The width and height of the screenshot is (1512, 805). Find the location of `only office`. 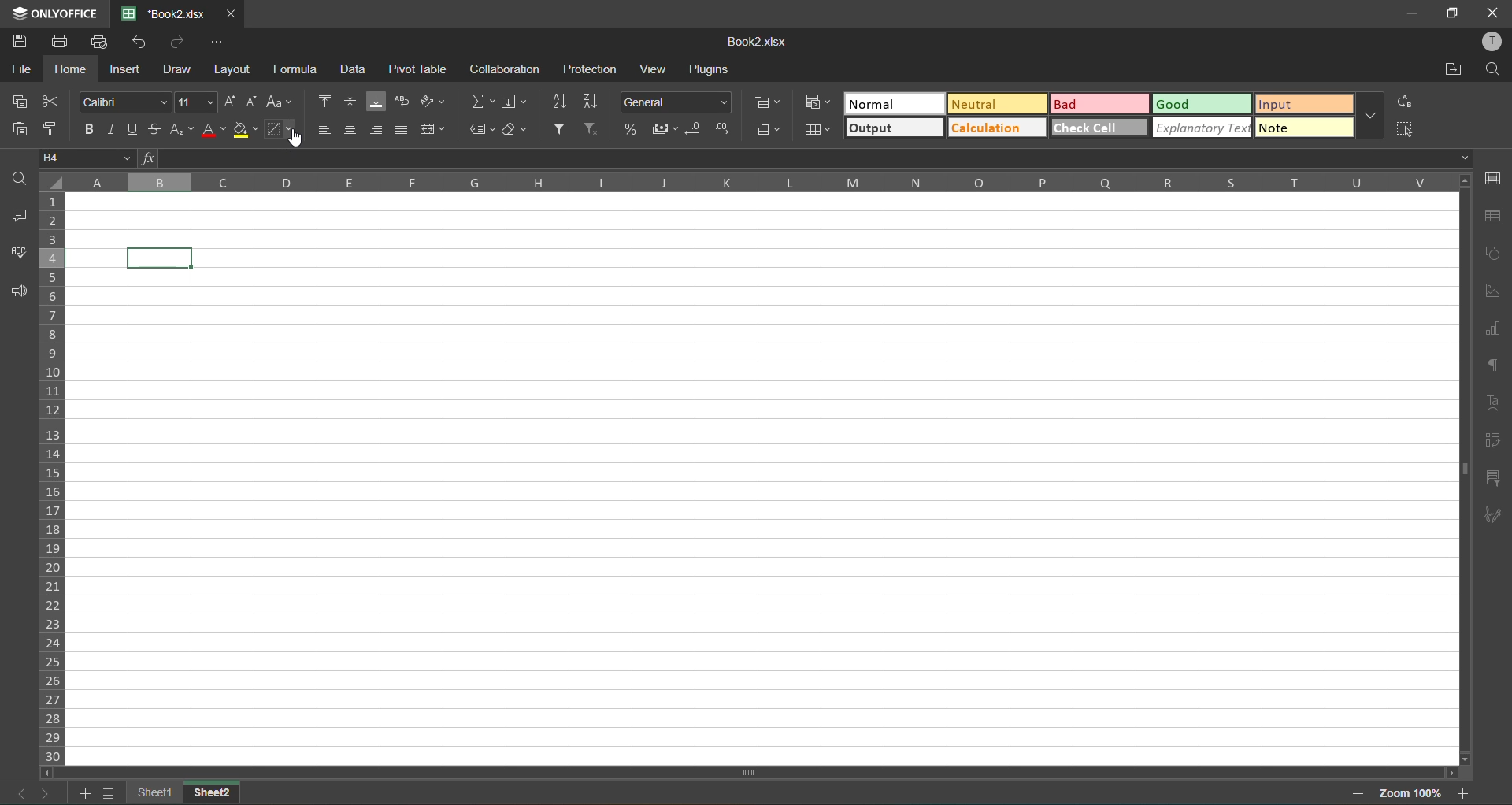

only office is located at coordinates (54, 12).